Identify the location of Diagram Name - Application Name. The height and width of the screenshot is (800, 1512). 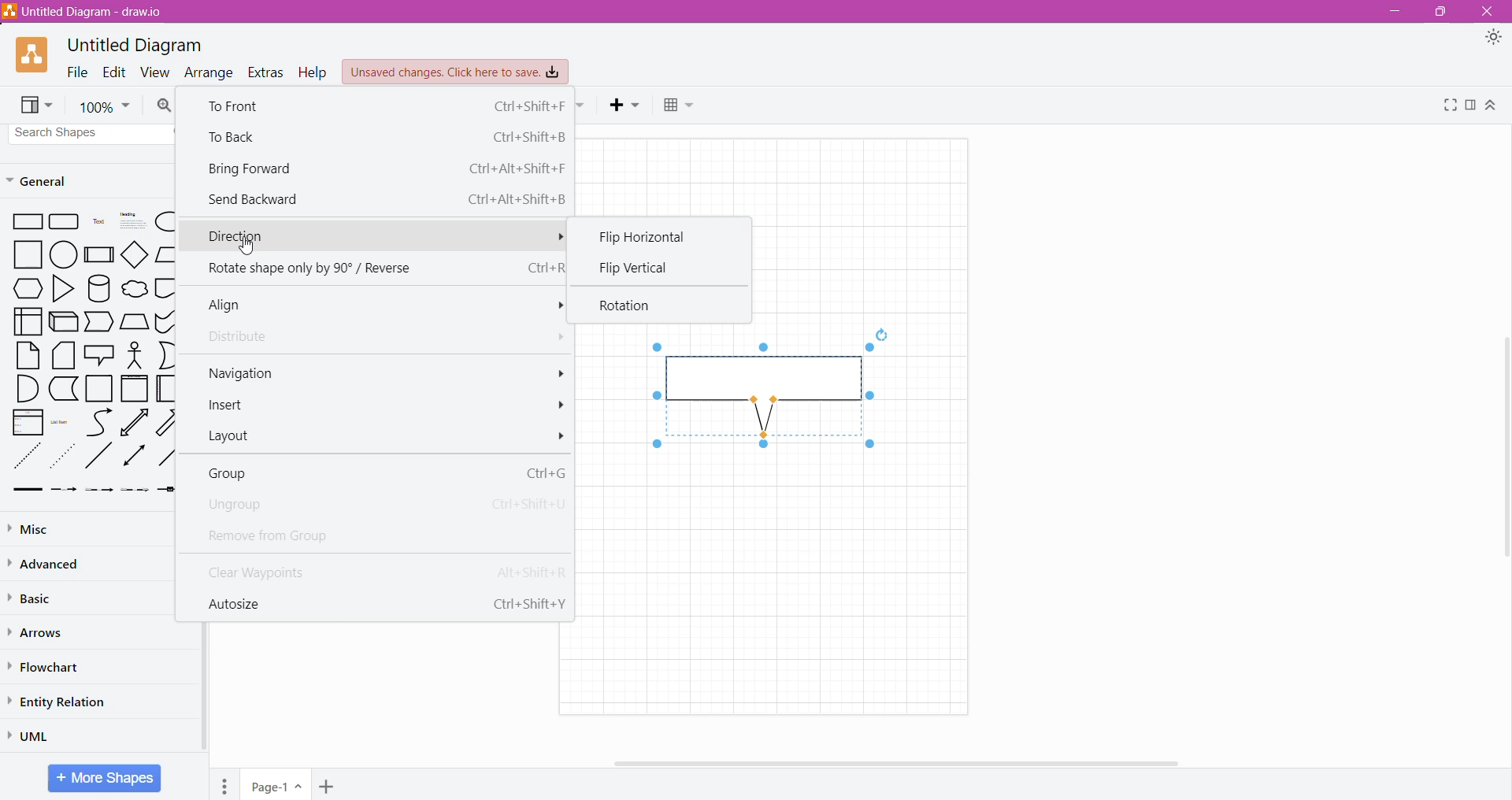
(85, 11).